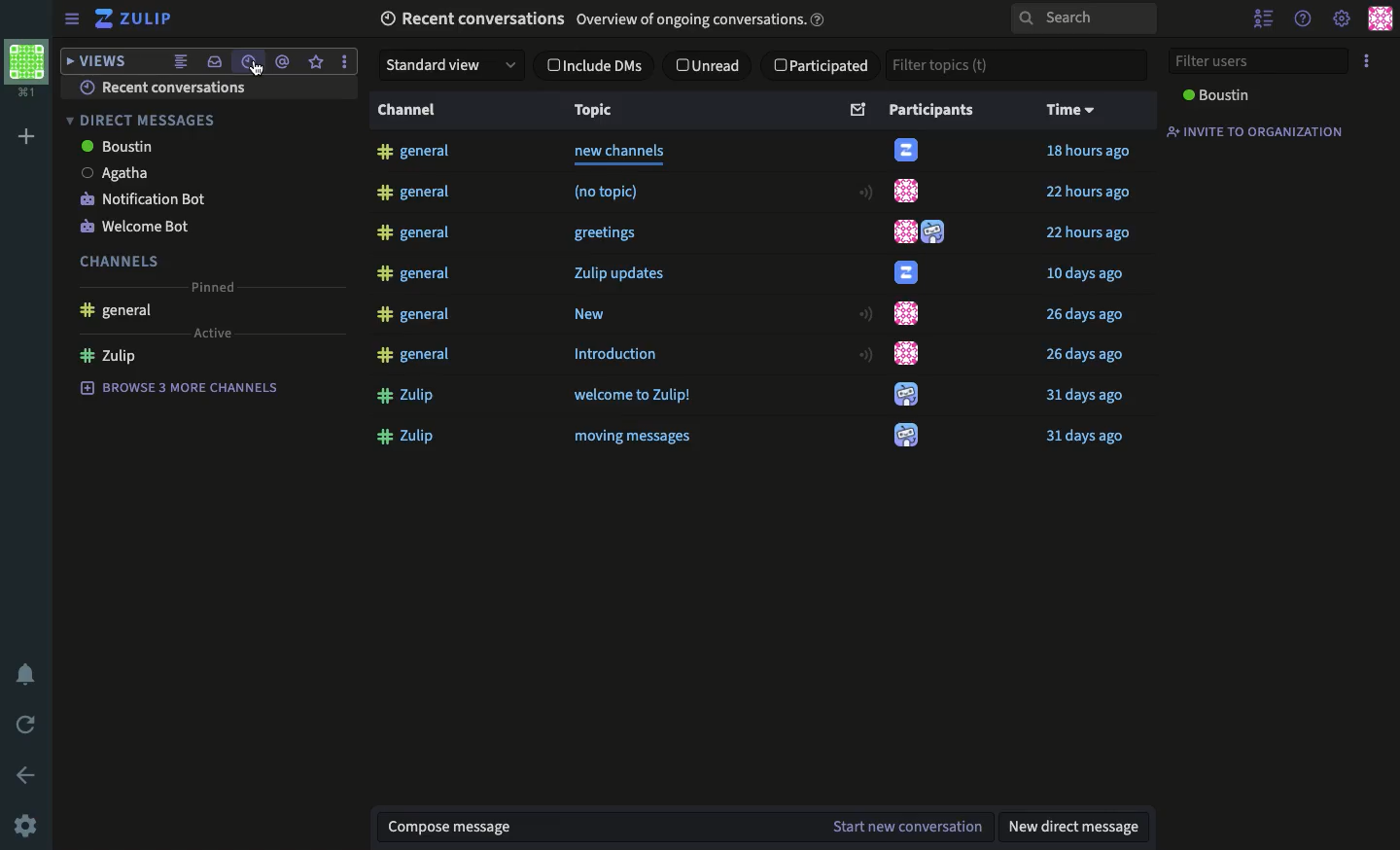 The image size is (1400, 850). Describe the element at coordinates (1089, 274) in the screenshot. I see `10 days ago` at that location.